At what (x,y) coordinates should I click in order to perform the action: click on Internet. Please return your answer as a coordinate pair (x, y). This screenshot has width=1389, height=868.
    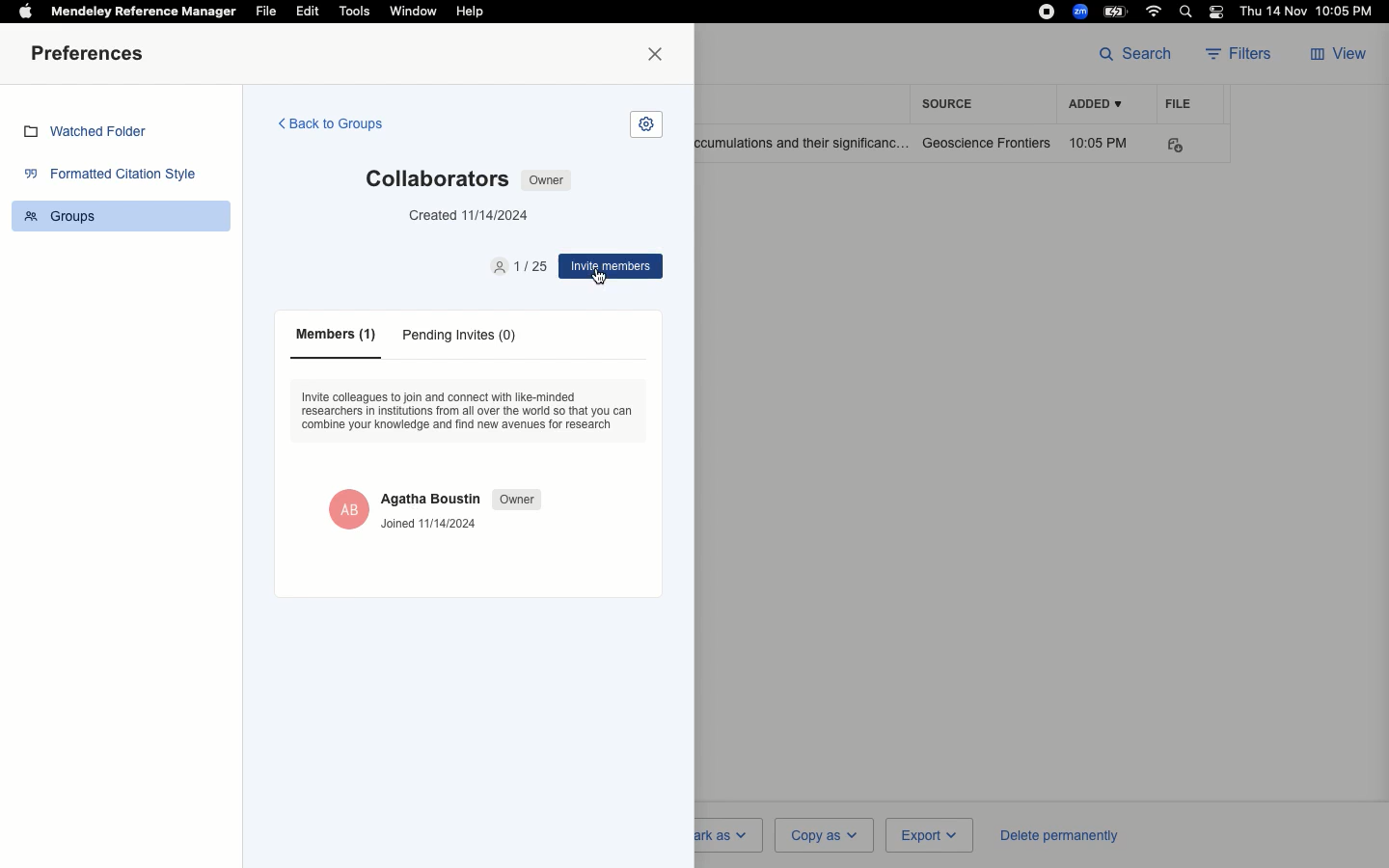
    Looking at the image, I should click on (1156, 12).